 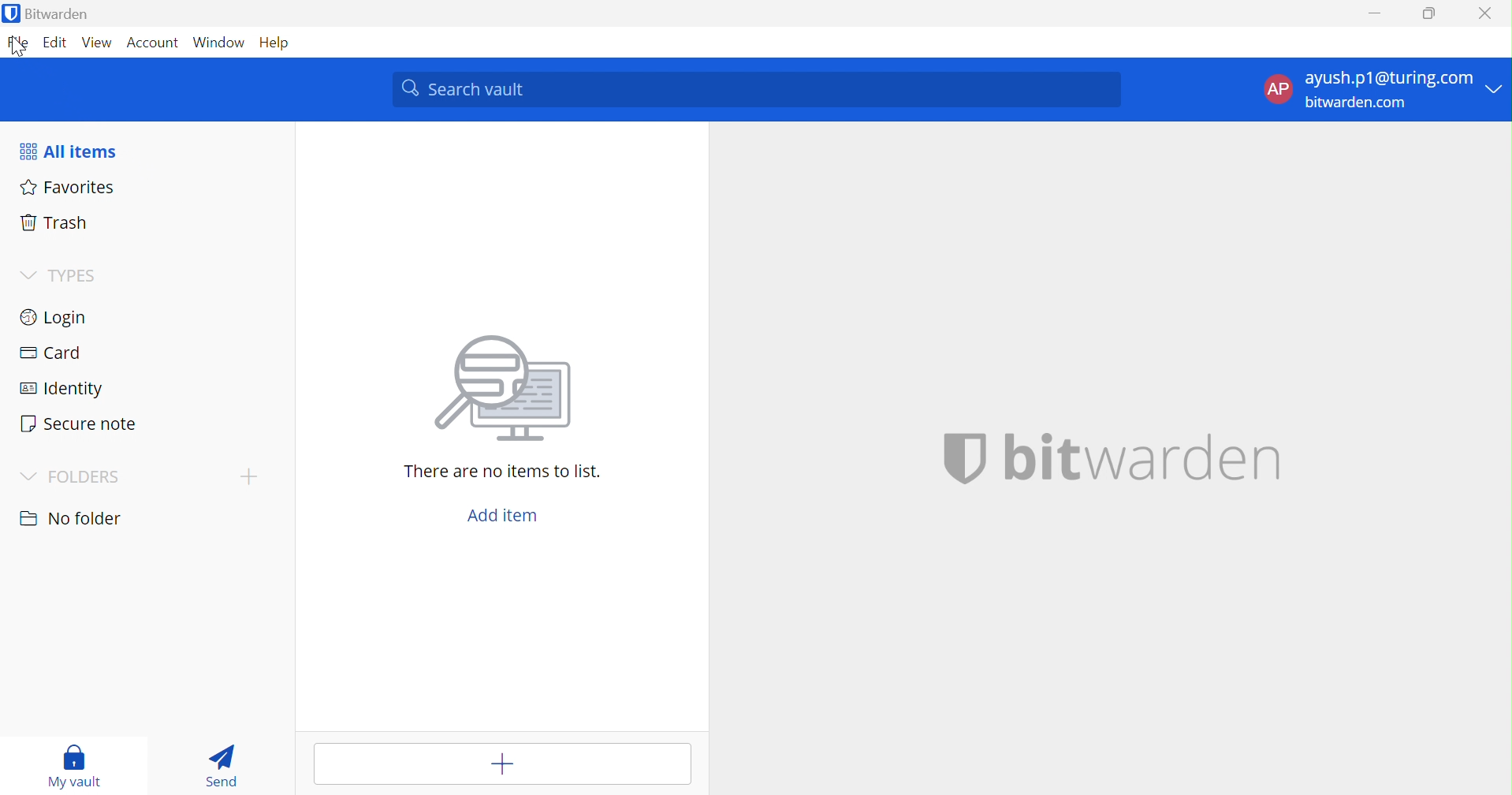 I want to click on Search vault, so click(x=757, y=90).